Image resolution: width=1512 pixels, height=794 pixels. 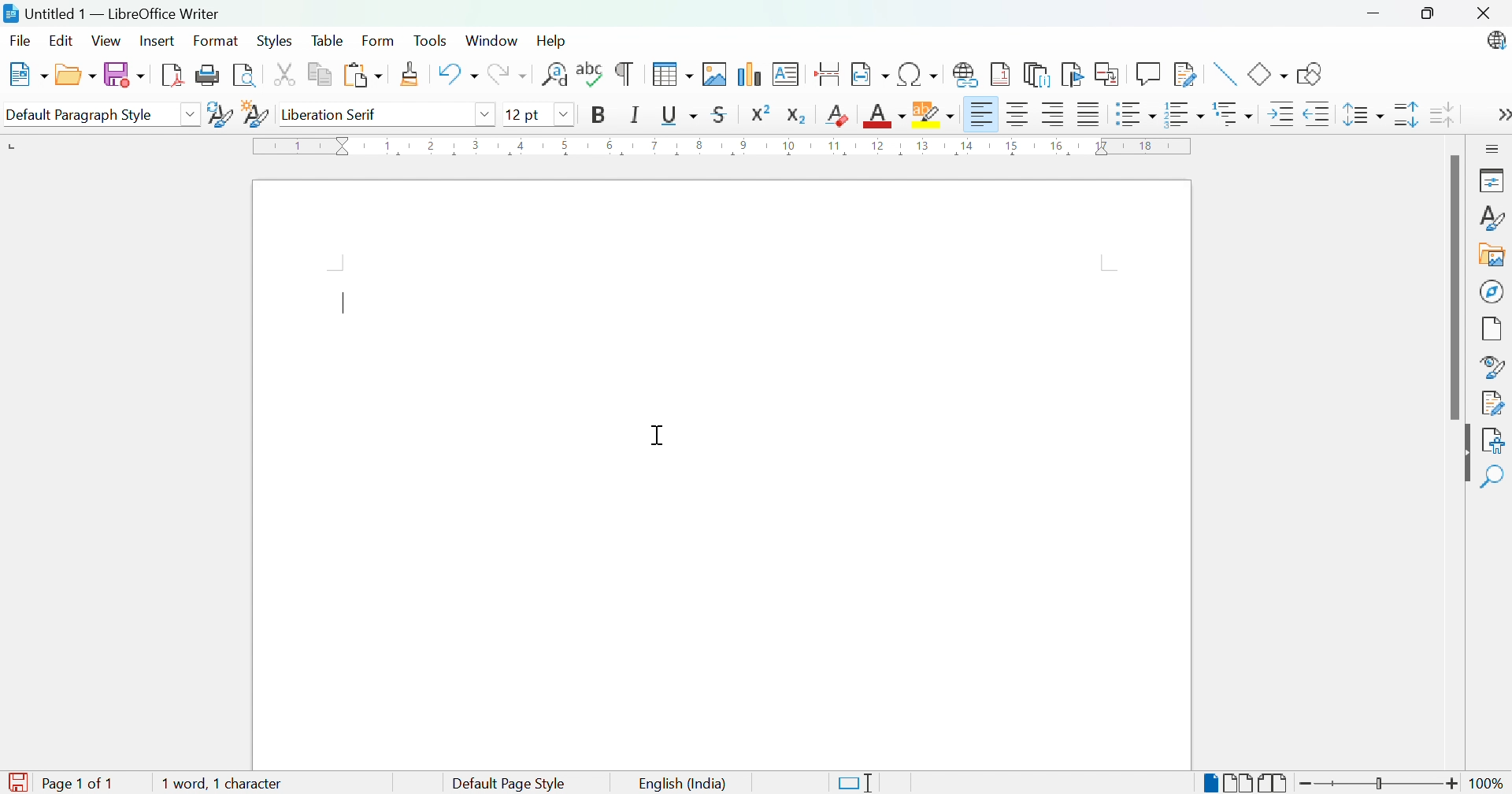 What do you see at coordinates (1227, 74) in the screenshot?
I see `Insert line` at bounding box center [1227, 74].